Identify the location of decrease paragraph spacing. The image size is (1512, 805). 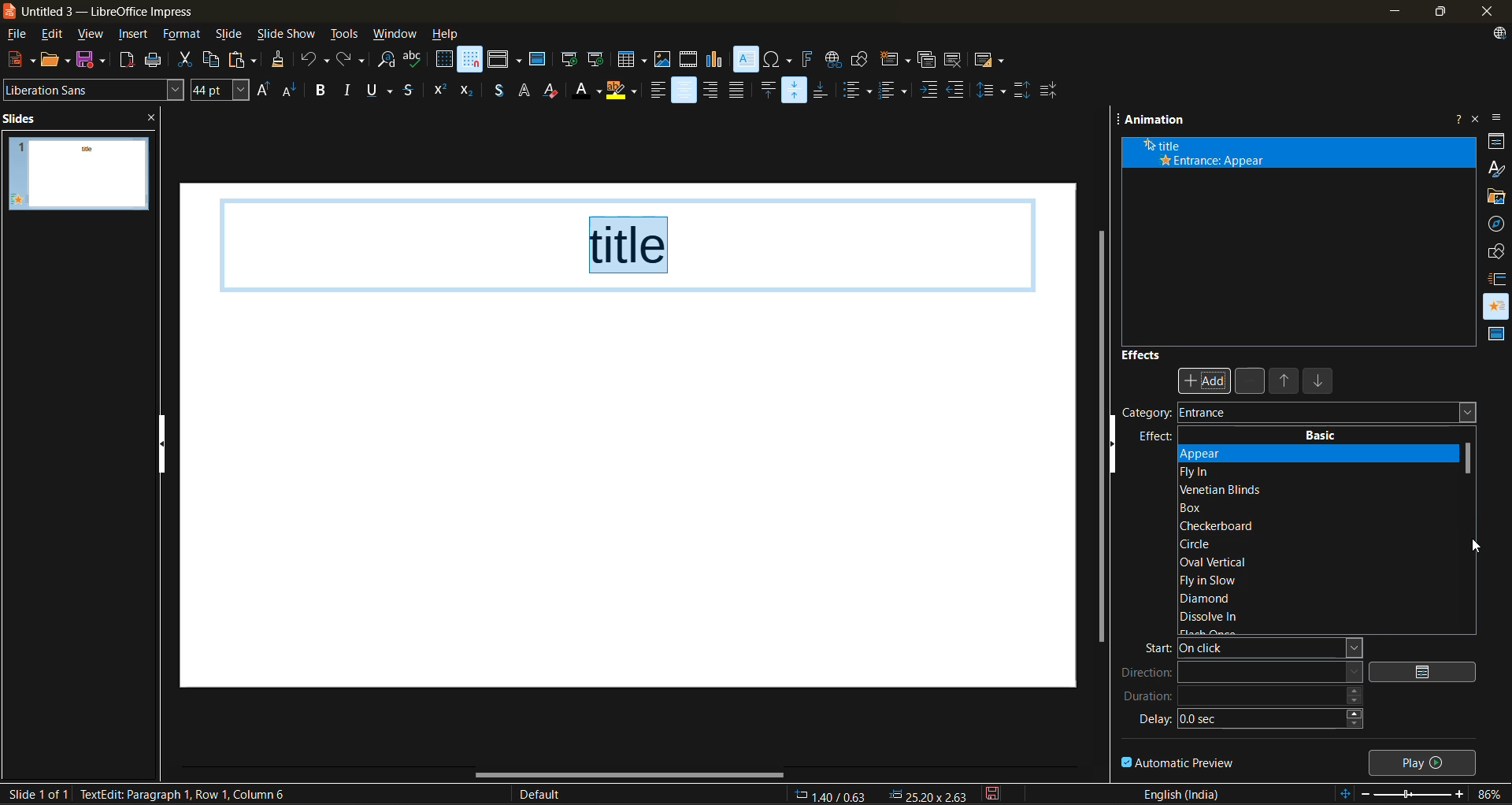
(1050, 91).